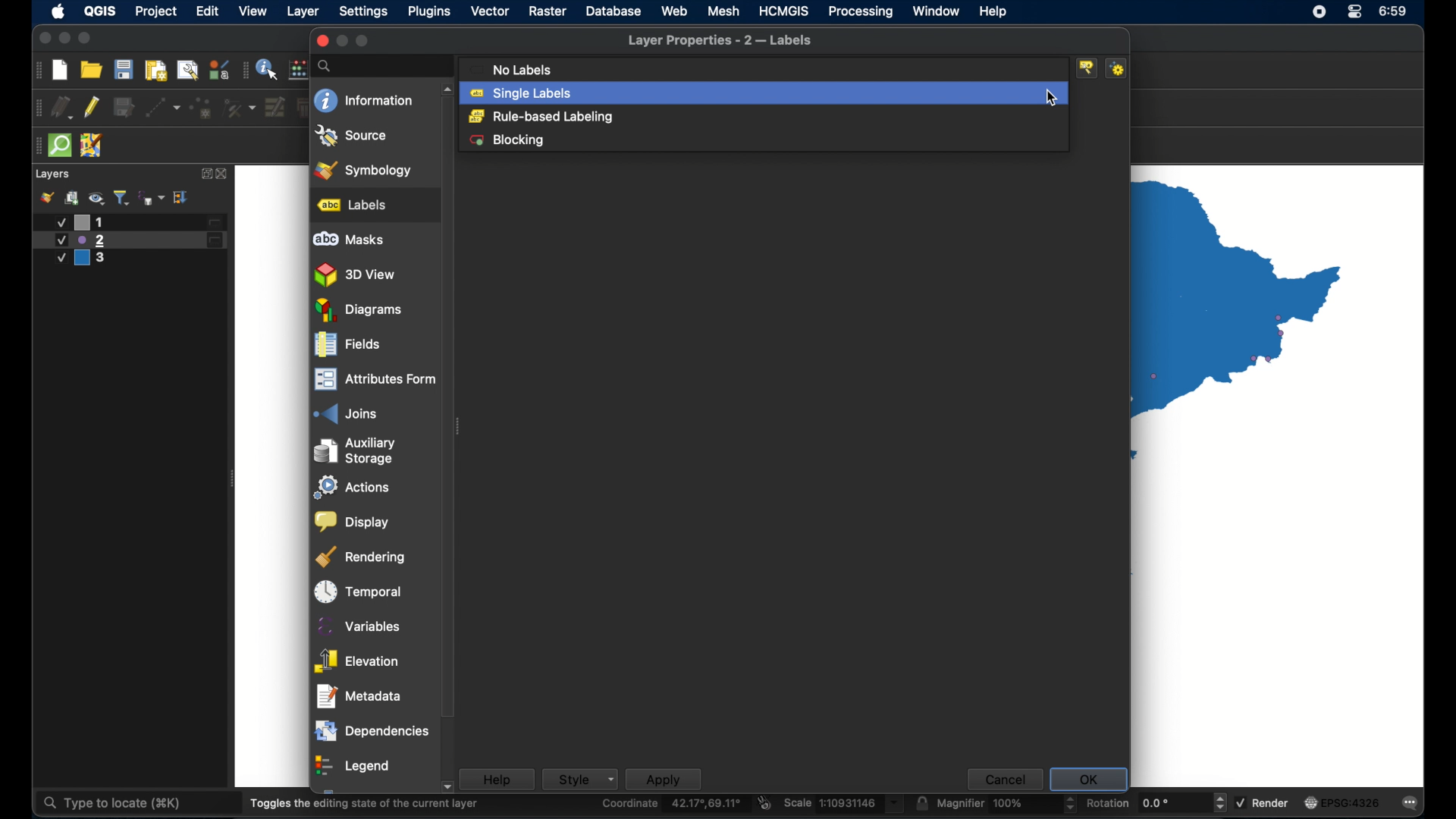 This screenshot has height=819, width=1456. What do you see at coordinates (844, 804) in the screenshot?
I see `scale` at bounding box center [844, 804].